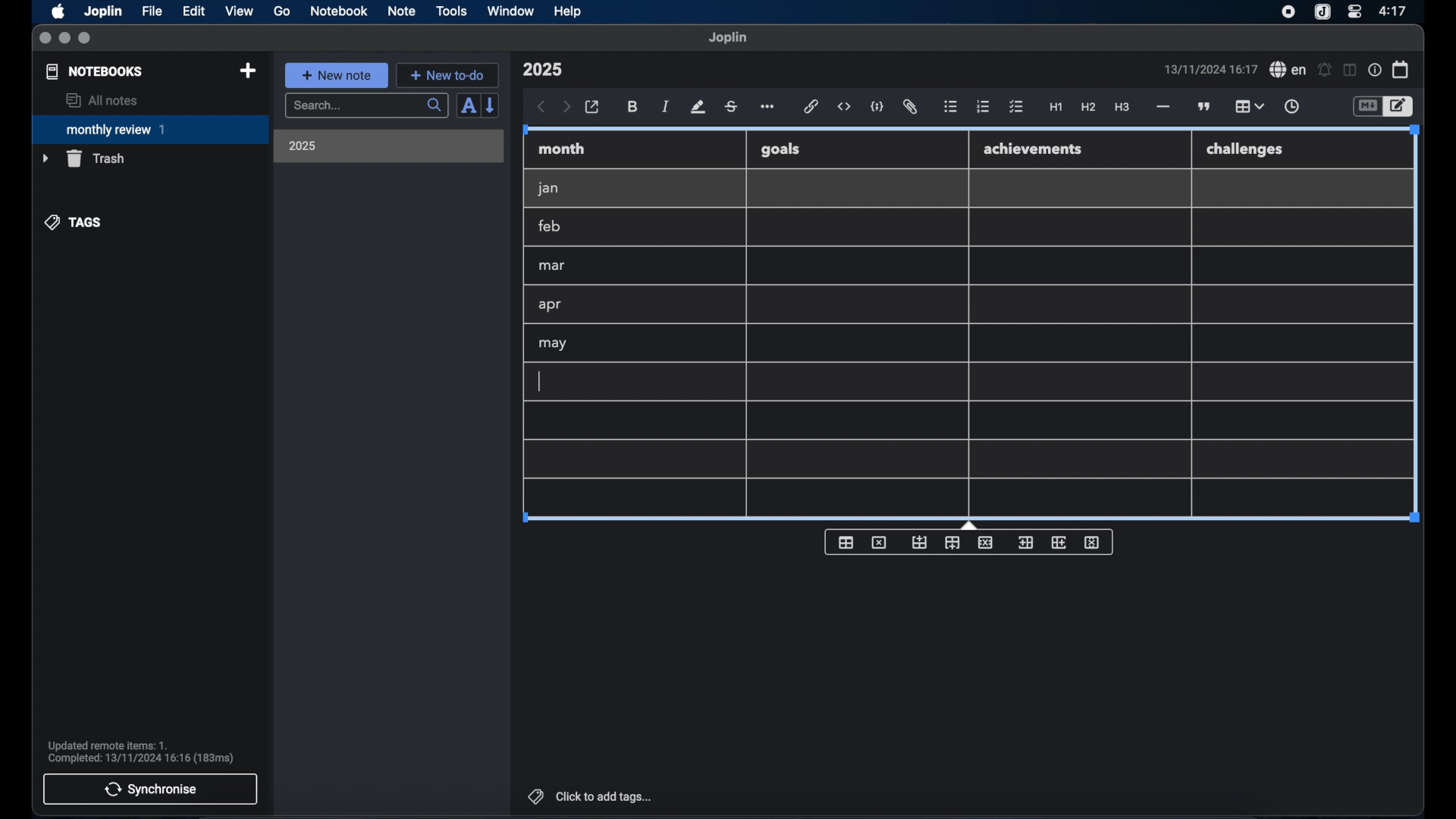  I want to click on text cursor, so click(539, 381).